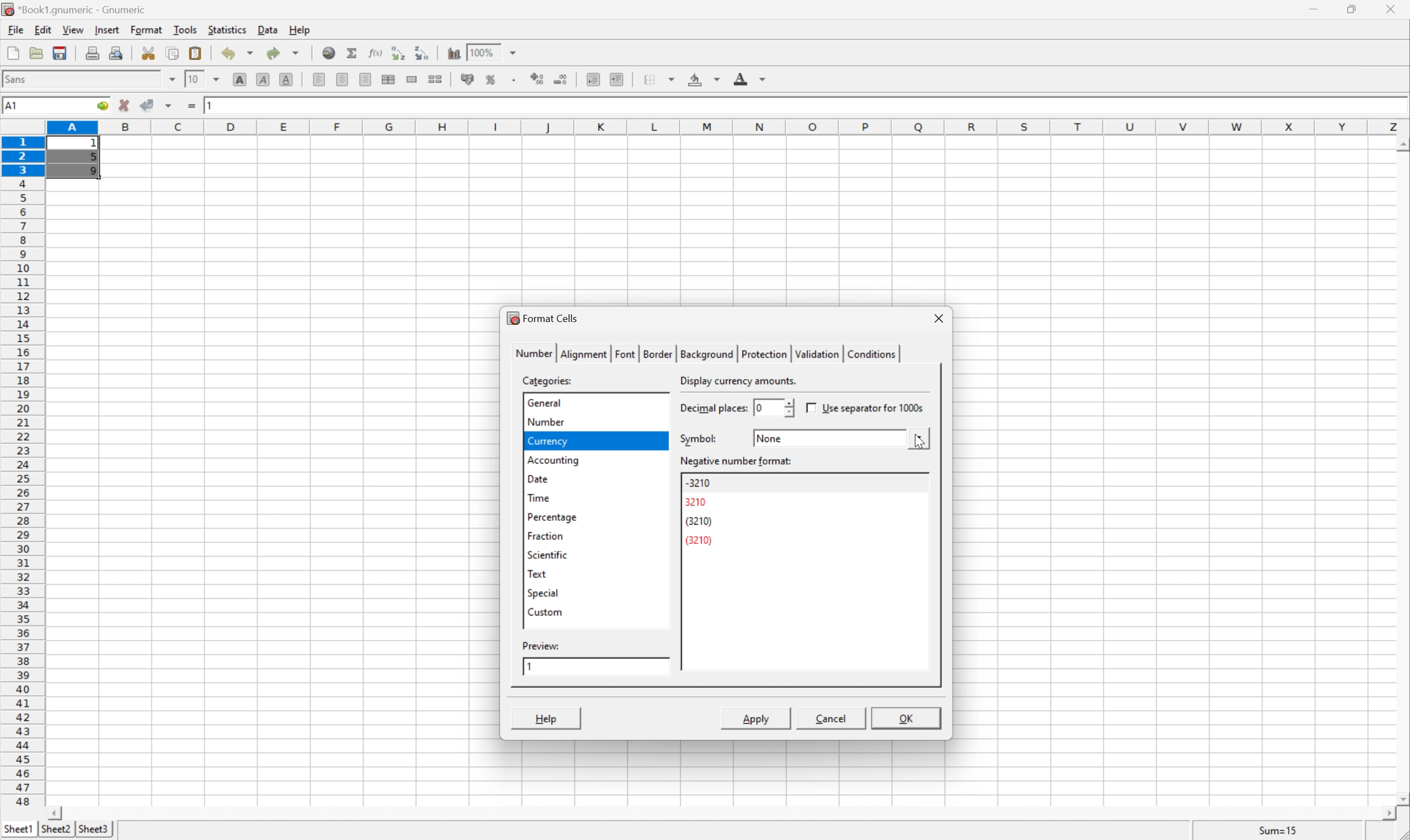 The width and height of the screenshot is (1410, 840). What do you see at coordinates (546, 441) in the screenshot?
I see `currency` at bounding box center [546, 441].